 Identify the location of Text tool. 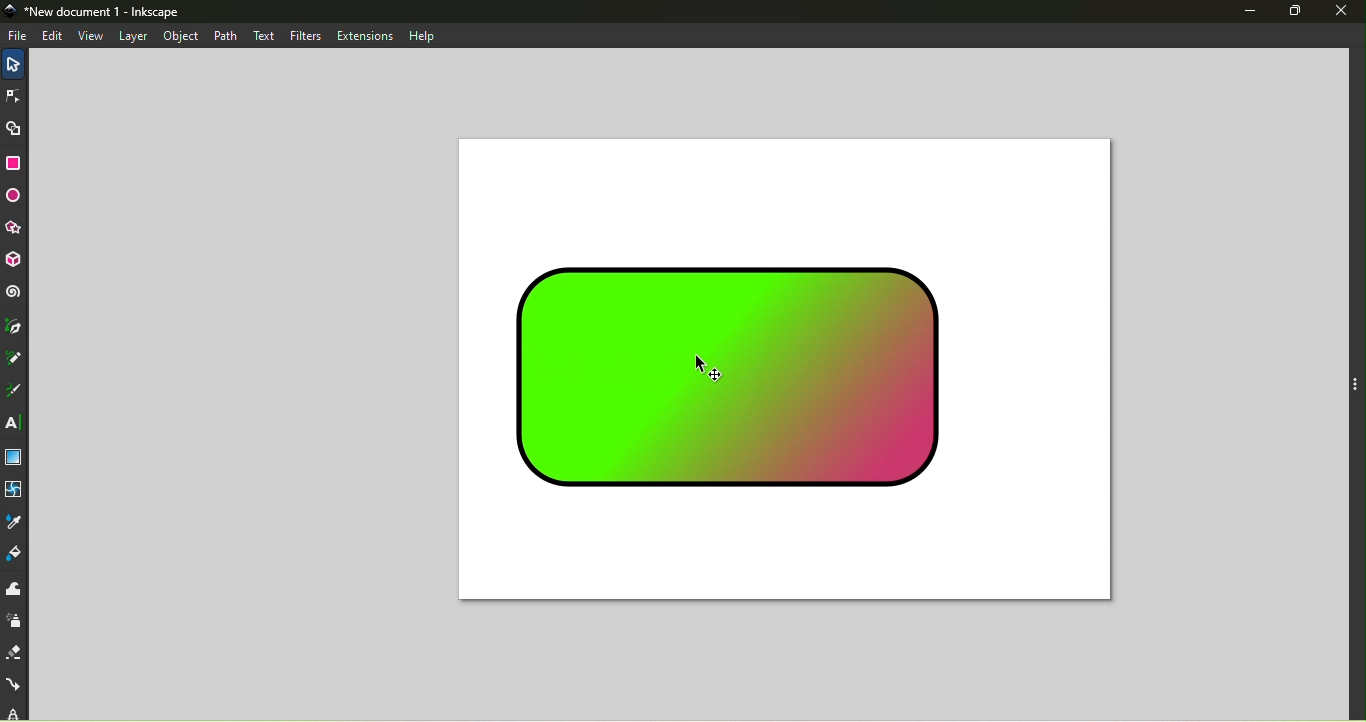
(15, 424).